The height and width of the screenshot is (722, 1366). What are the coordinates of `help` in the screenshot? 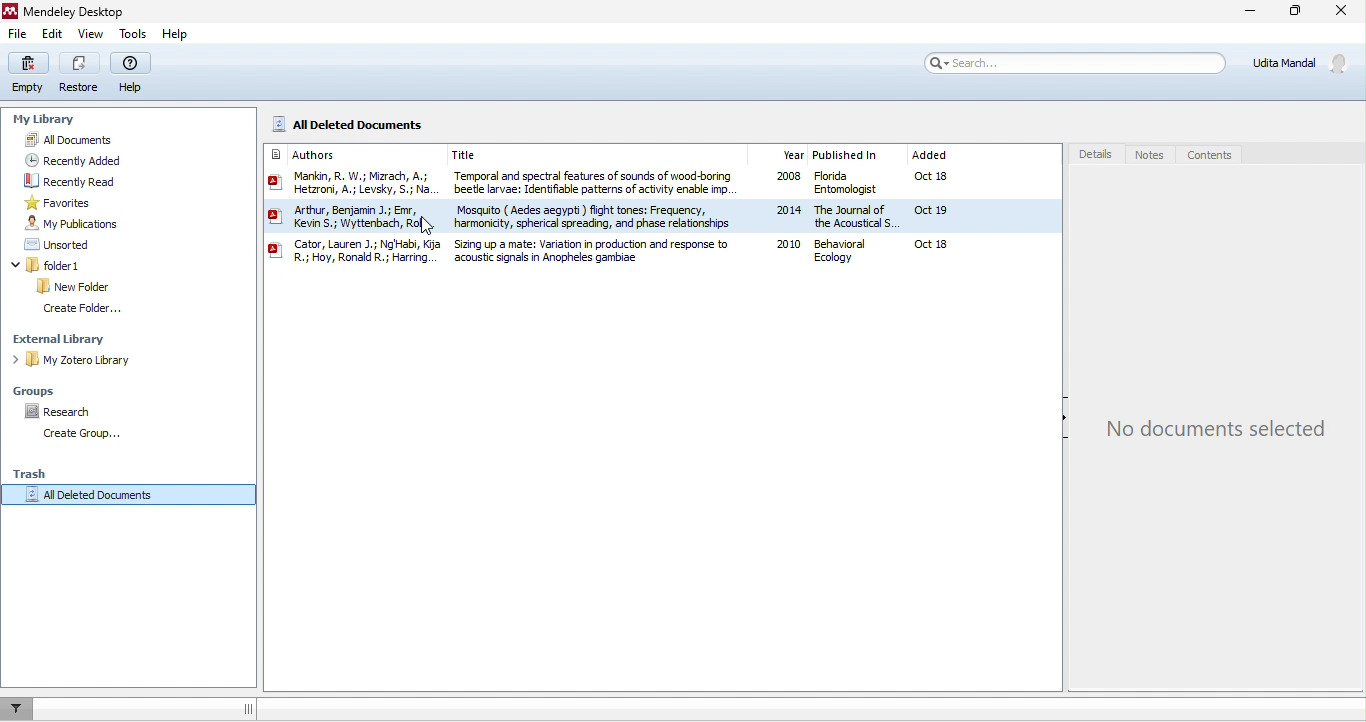 It's located at (133, 74).